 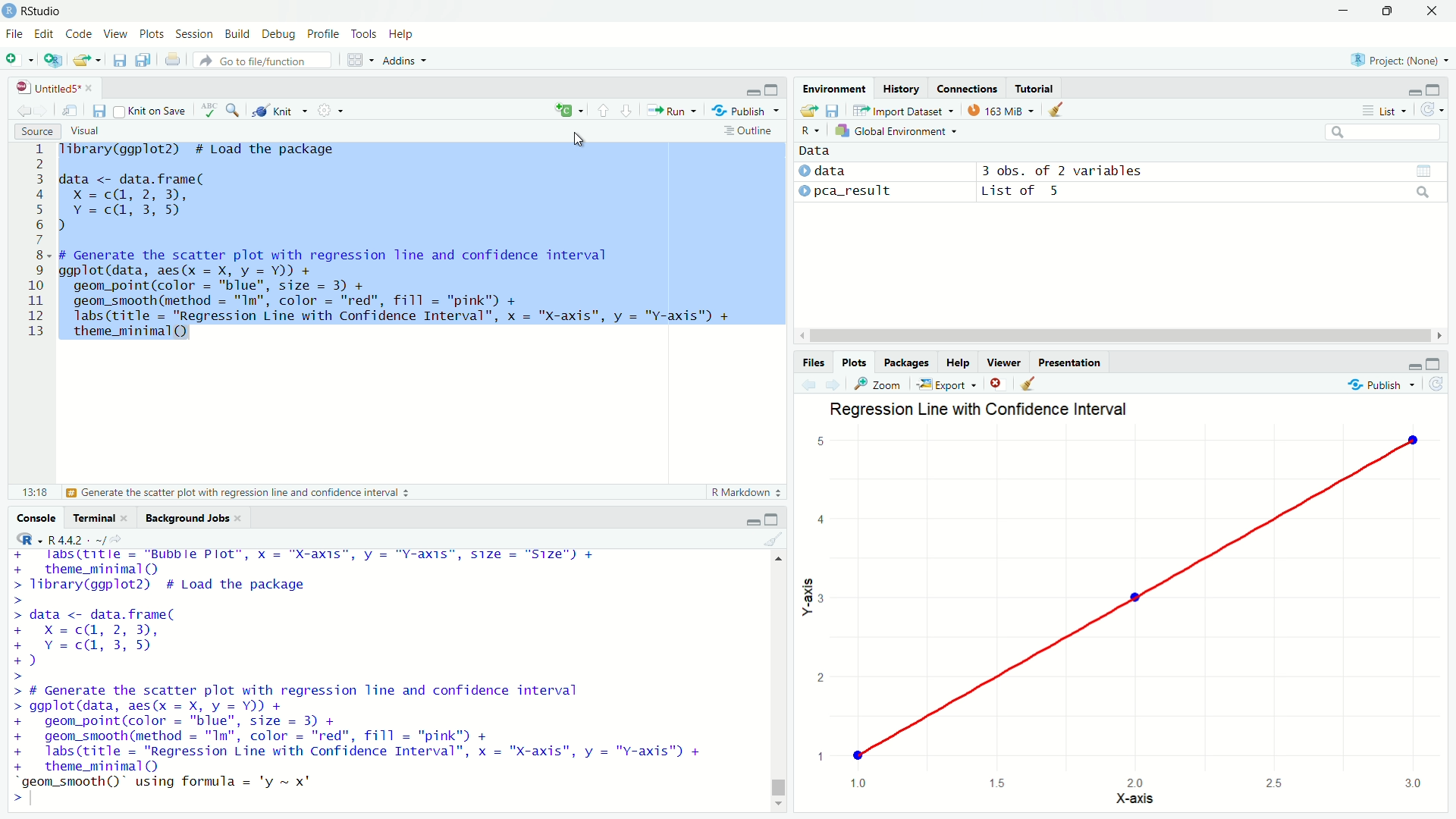 I want to click on close, so click(x=242, y=519).